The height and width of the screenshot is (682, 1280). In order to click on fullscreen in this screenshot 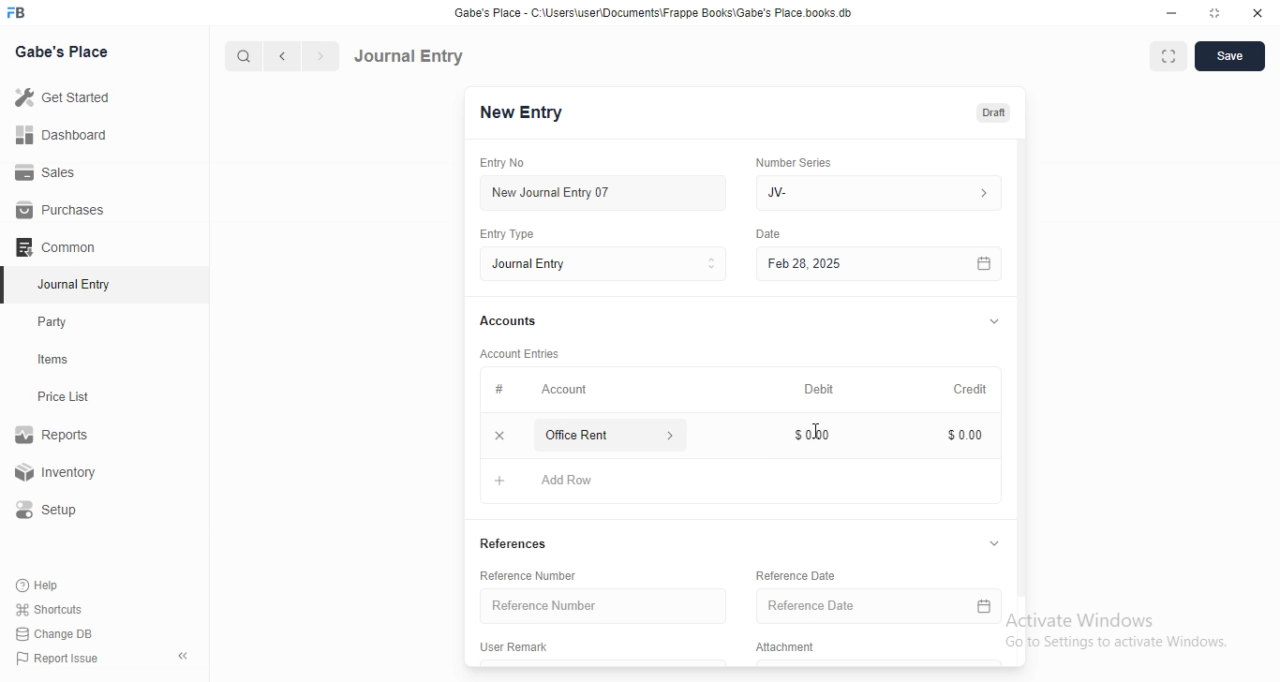, I will do `click(1169, 58)`.